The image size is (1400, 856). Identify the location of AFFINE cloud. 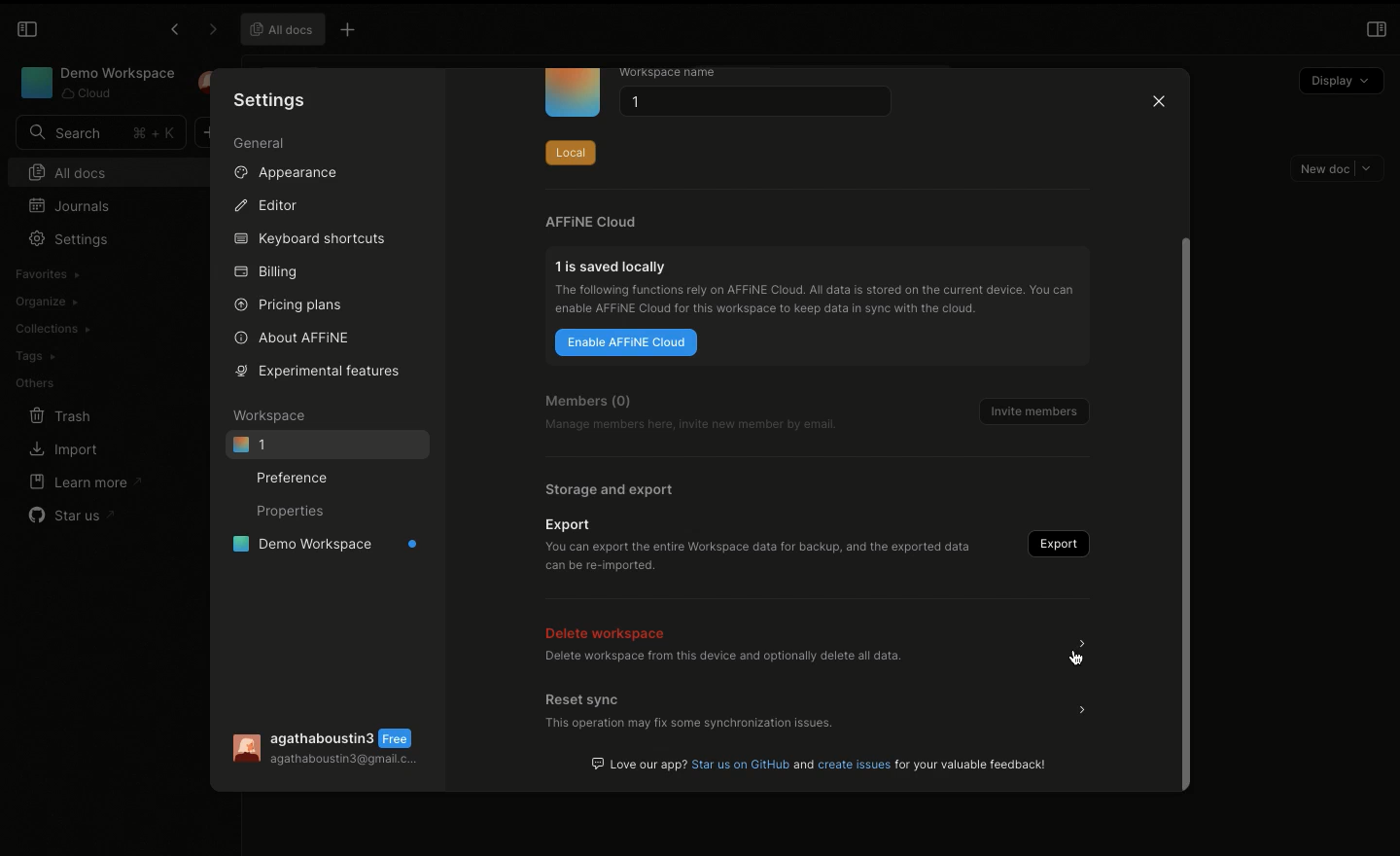
(591, 222).